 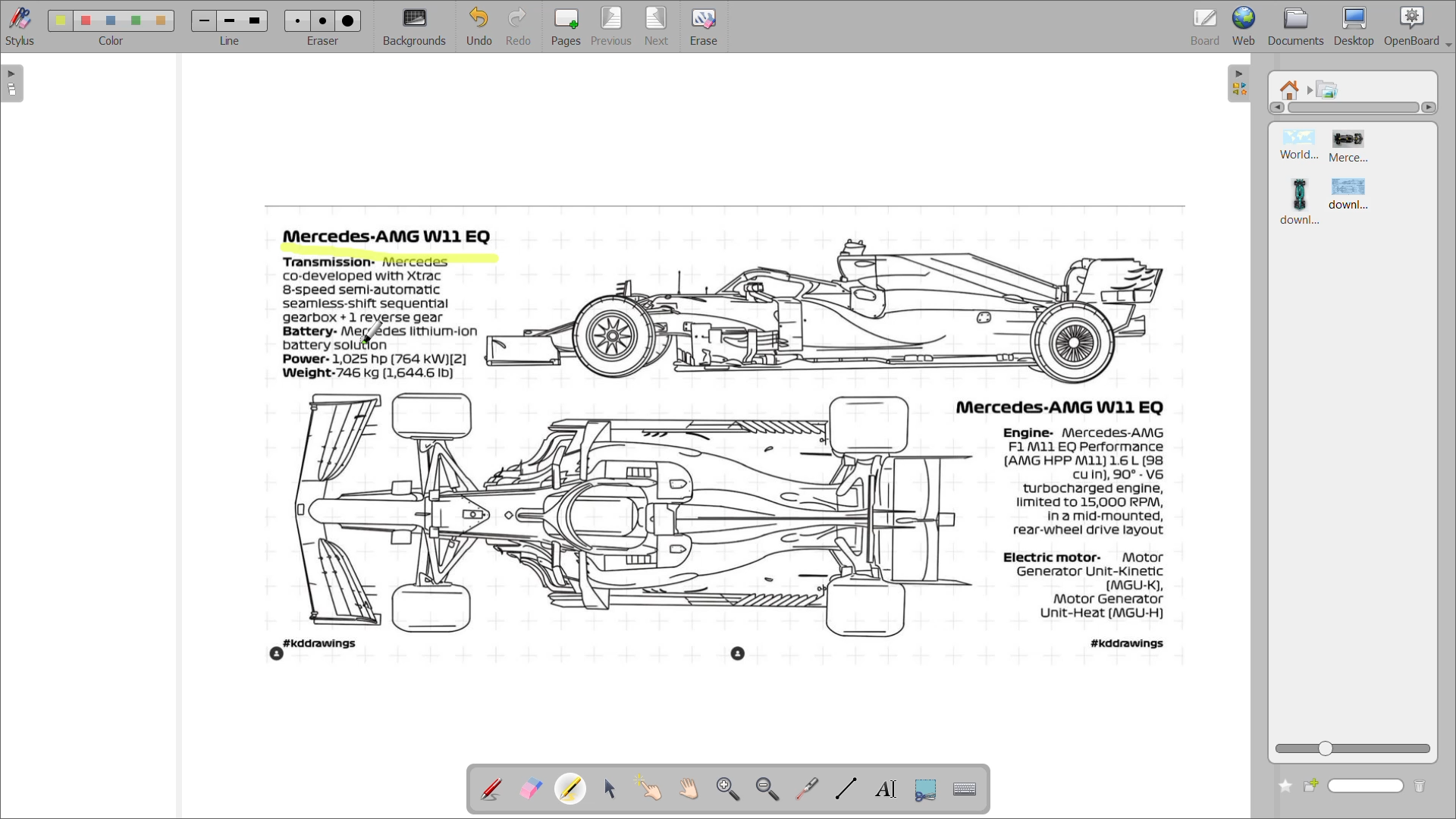 I want to click on delete, so click(x=1420, y=787).